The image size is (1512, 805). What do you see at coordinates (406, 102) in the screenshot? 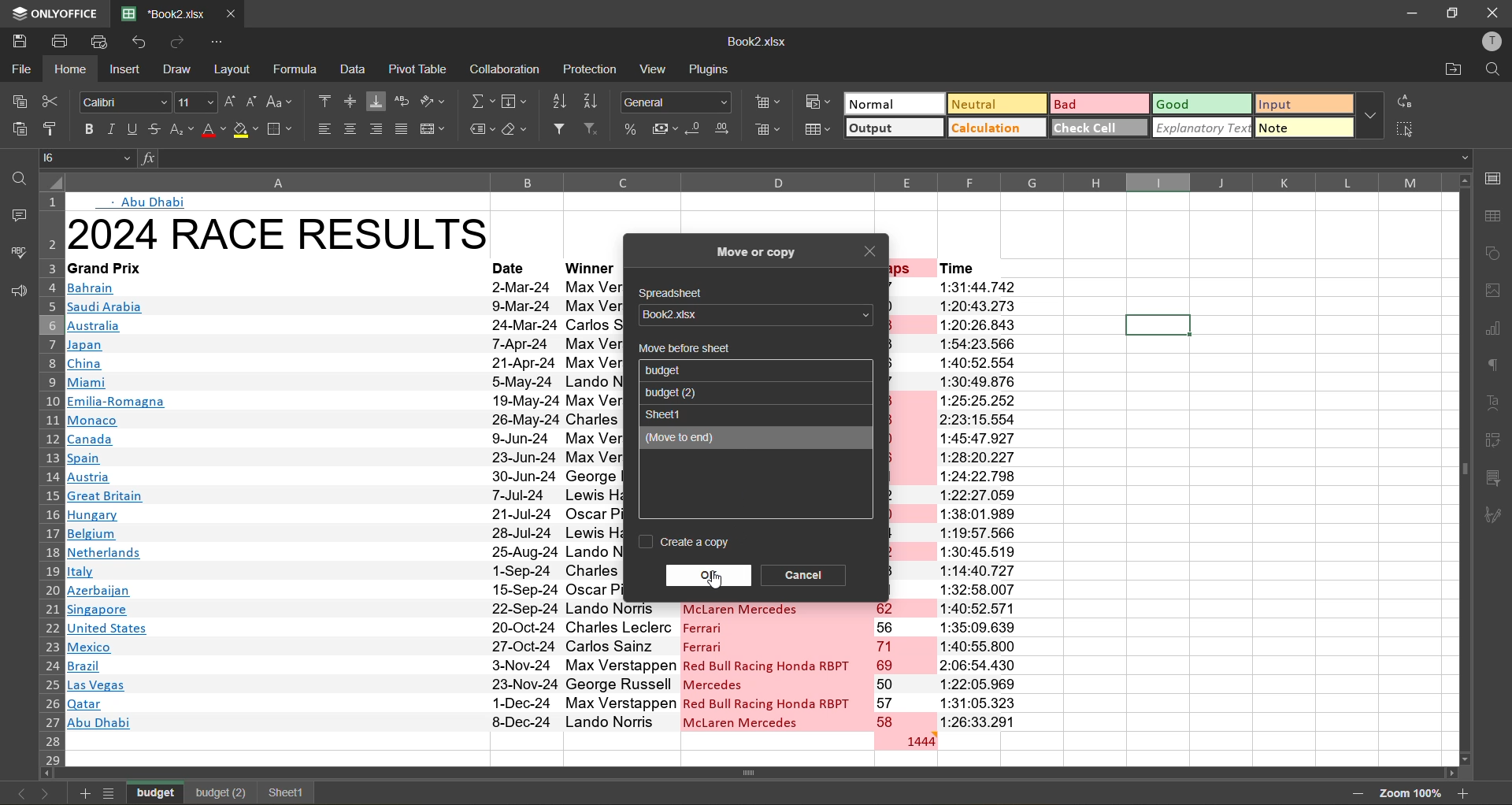
I see `wrap text` at bounding box center [406, 102].